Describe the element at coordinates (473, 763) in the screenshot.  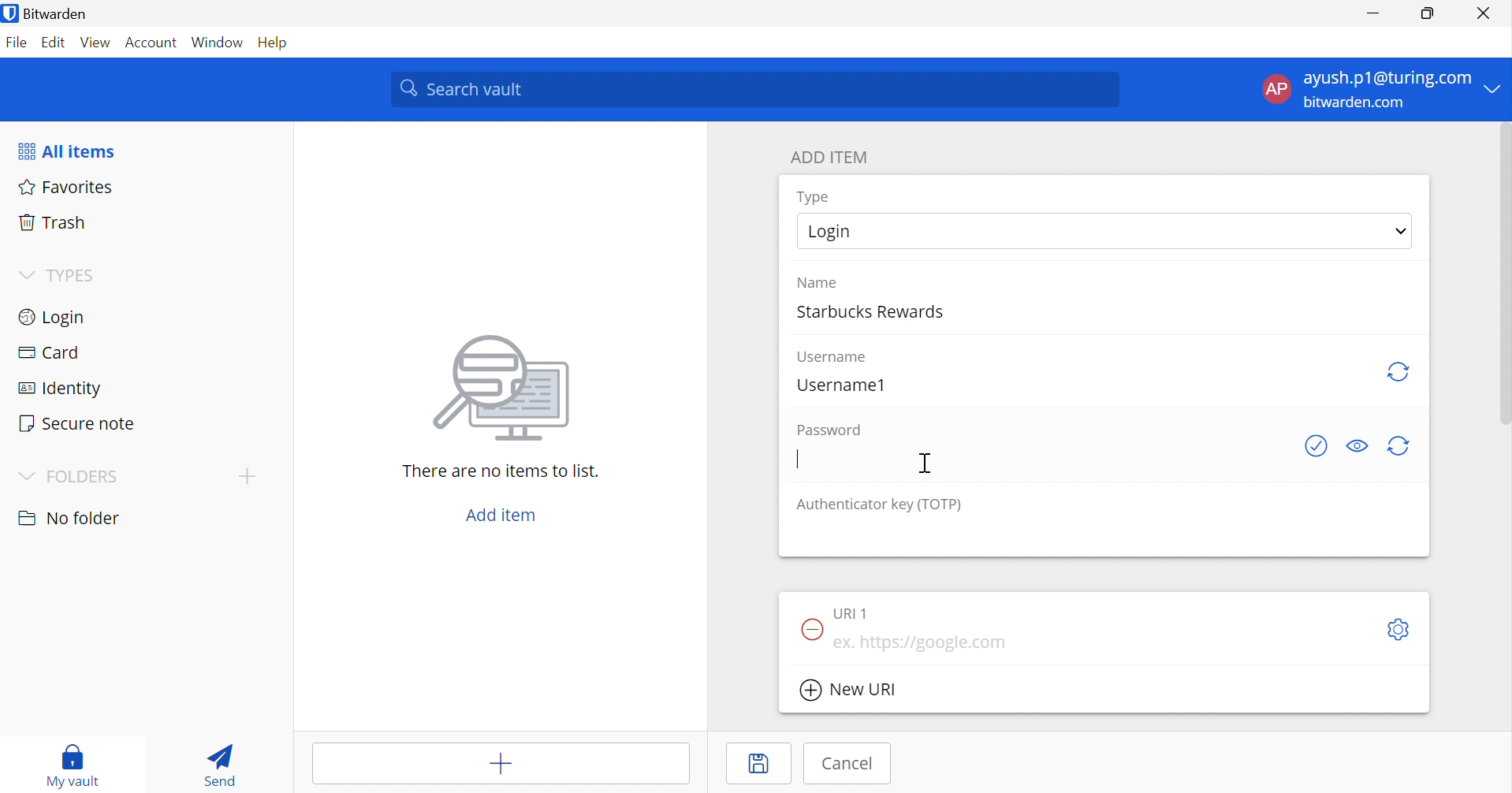
I see `Add item` at that location.